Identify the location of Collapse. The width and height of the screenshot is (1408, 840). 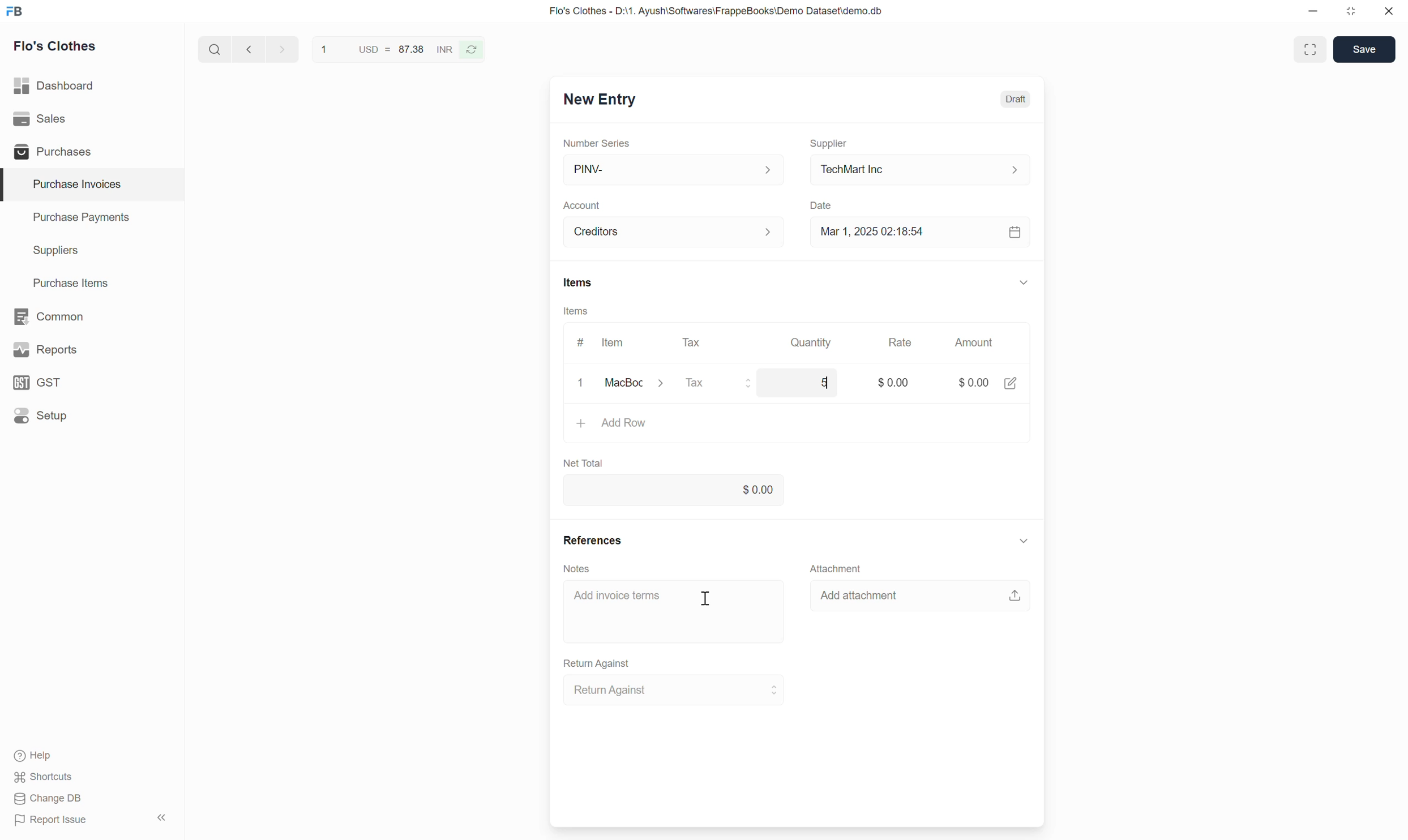
(1024, 541).